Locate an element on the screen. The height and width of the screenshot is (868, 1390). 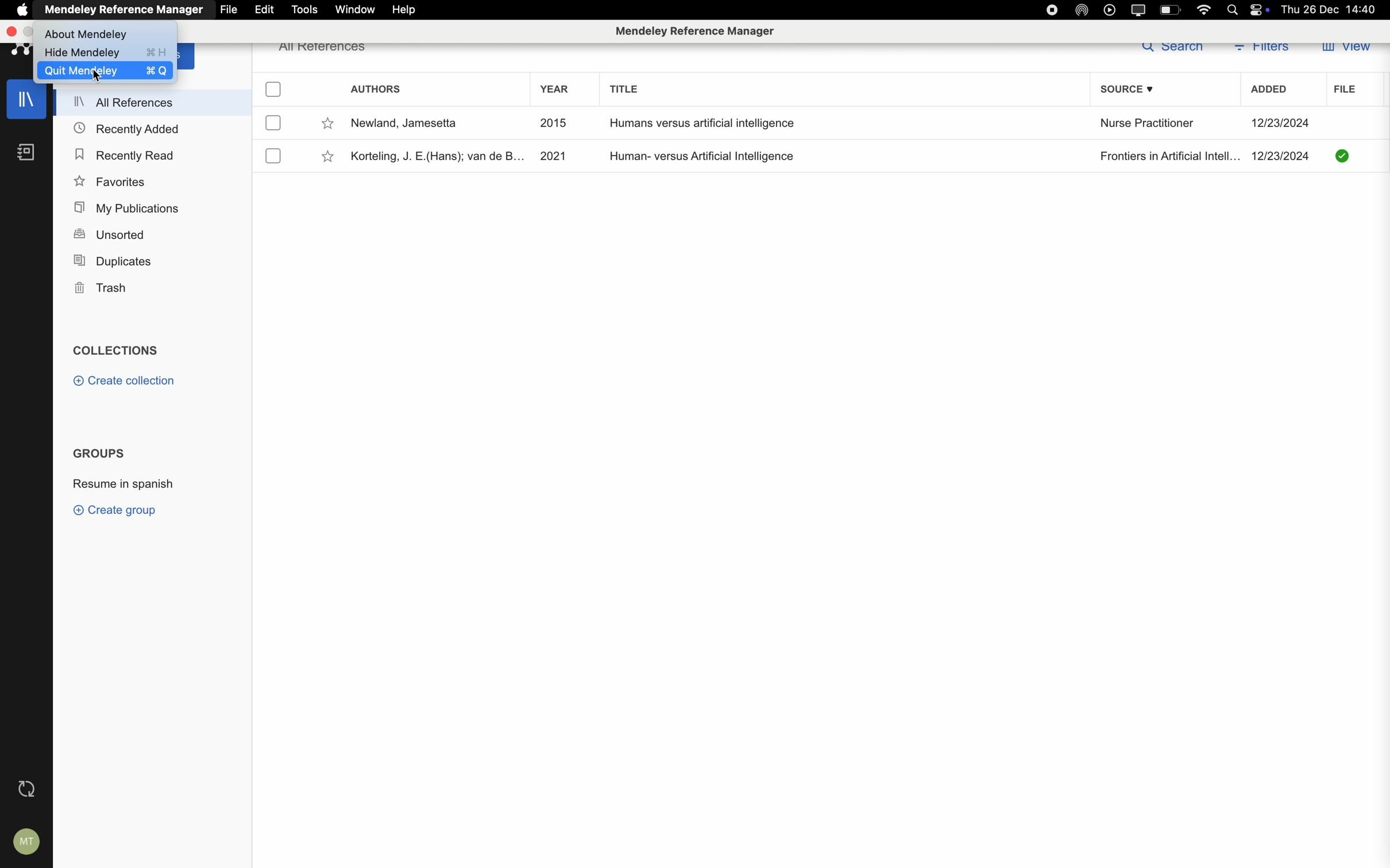
favorite is located at coordinates (329, 157).